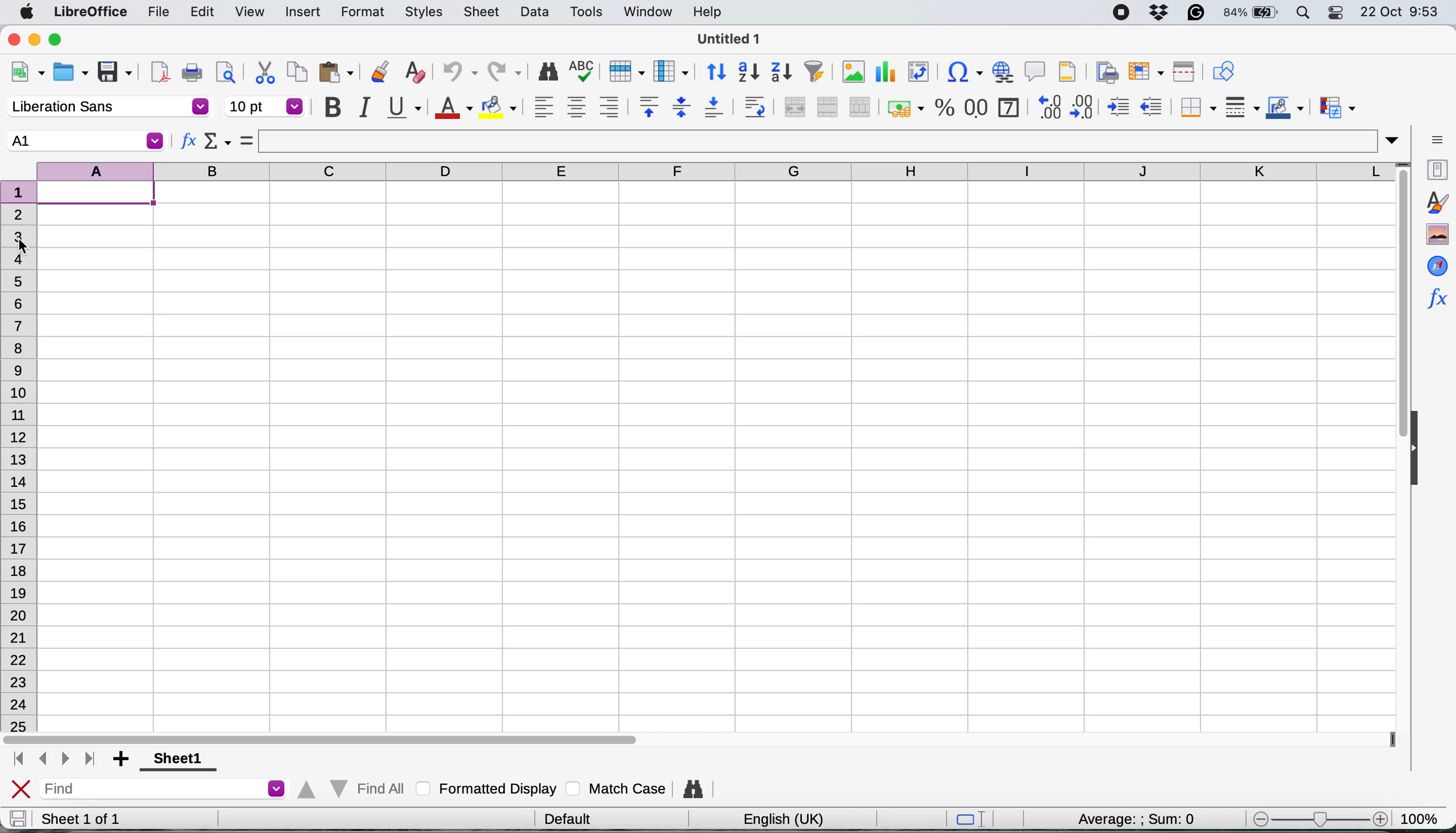 Image resolution: width=1456 pixels, height=833 pixels. I want to click on find and replace, so click(695, 789).